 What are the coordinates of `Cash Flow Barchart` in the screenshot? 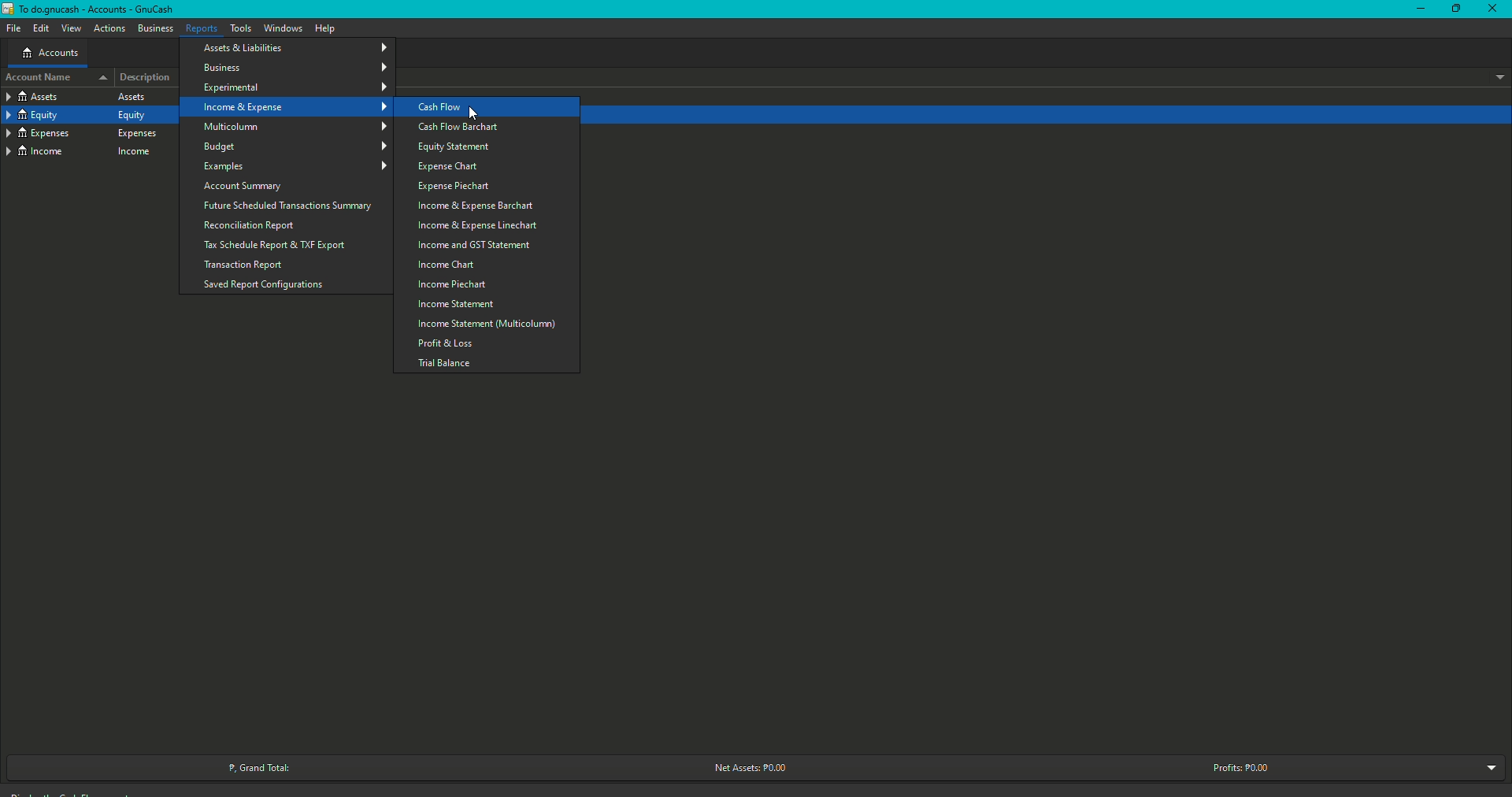 It's located at (466, 128).